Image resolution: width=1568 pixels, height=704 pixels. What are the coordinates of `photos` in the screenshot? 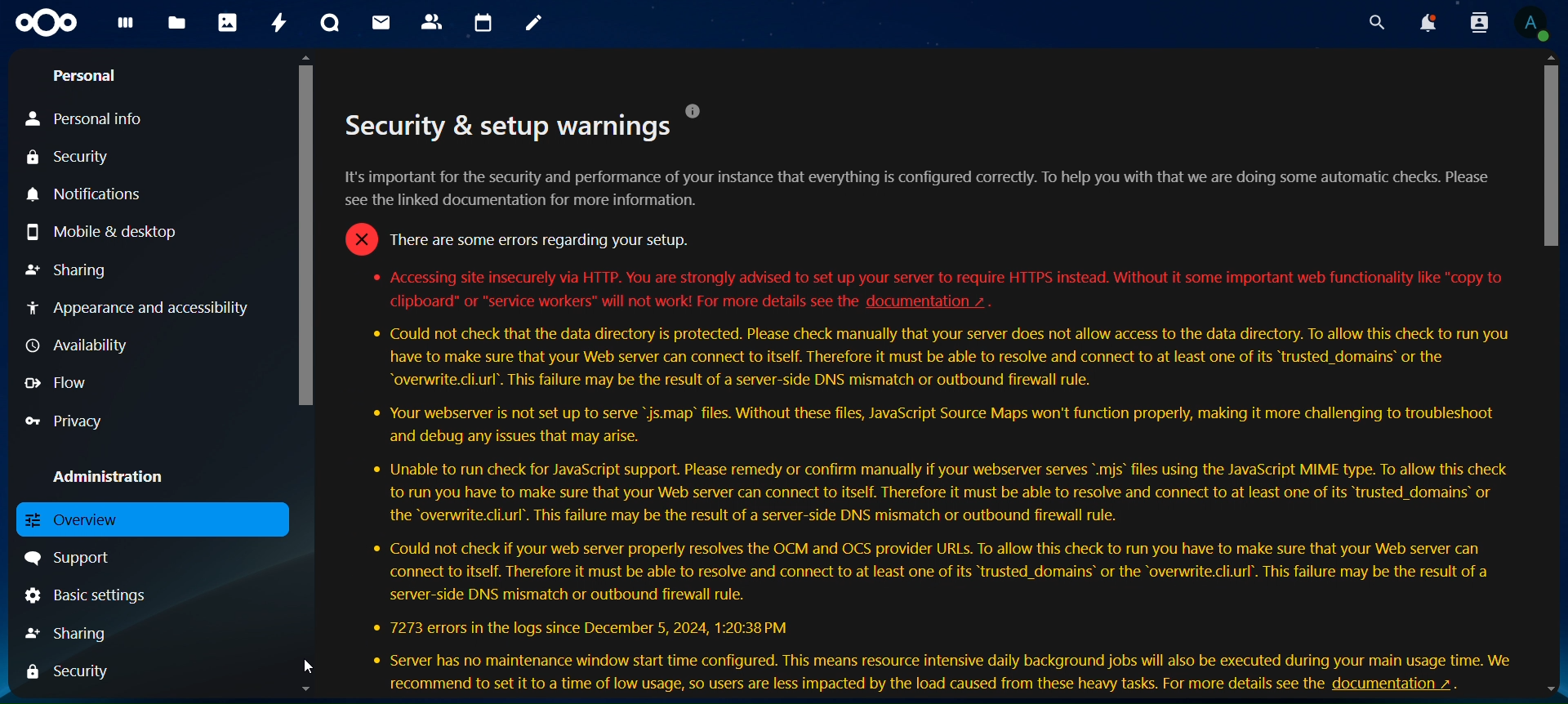 It's located at (229, 23).